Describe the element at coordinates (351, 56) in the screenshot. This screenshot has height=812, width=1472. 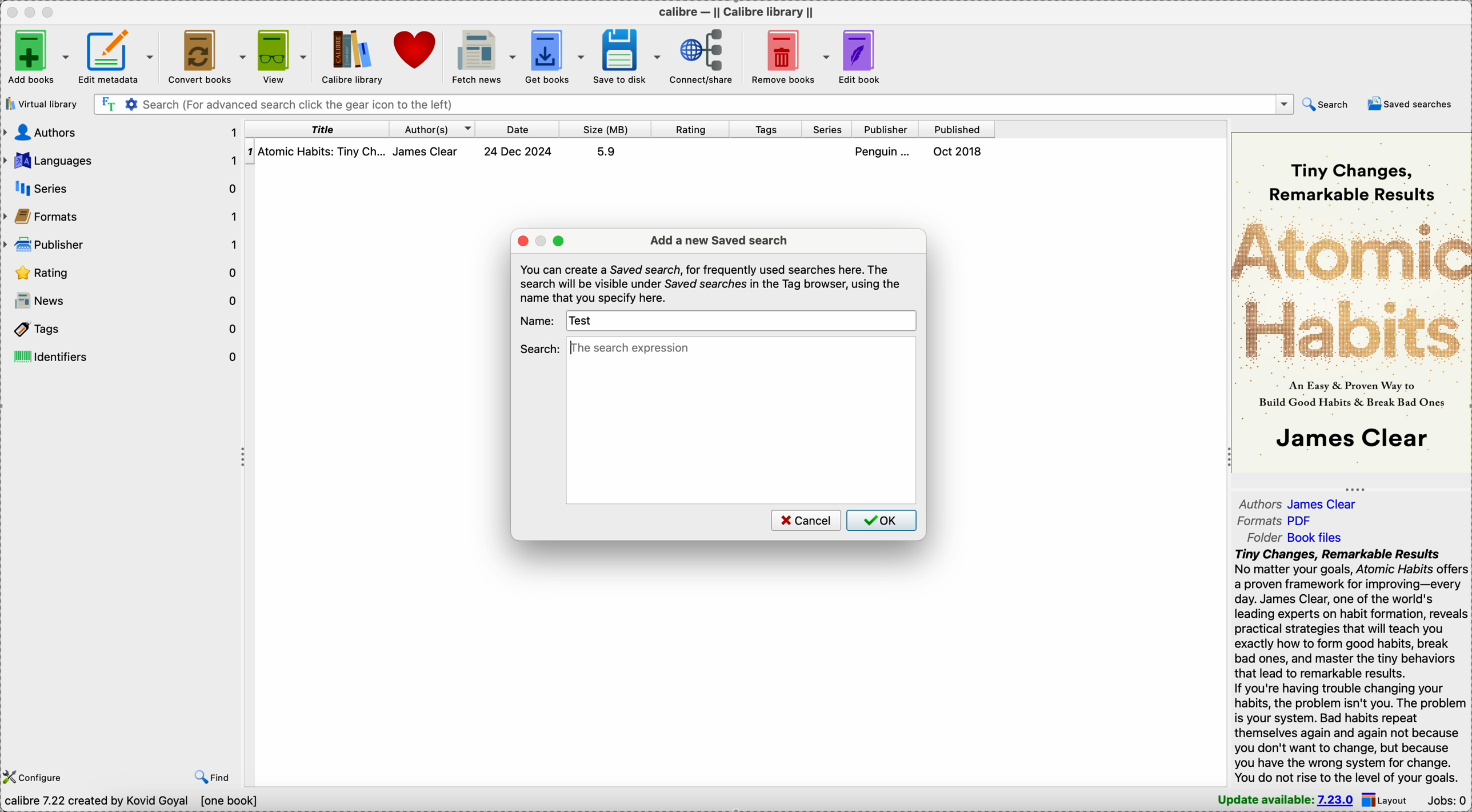
I see `Calibre library` at that location.